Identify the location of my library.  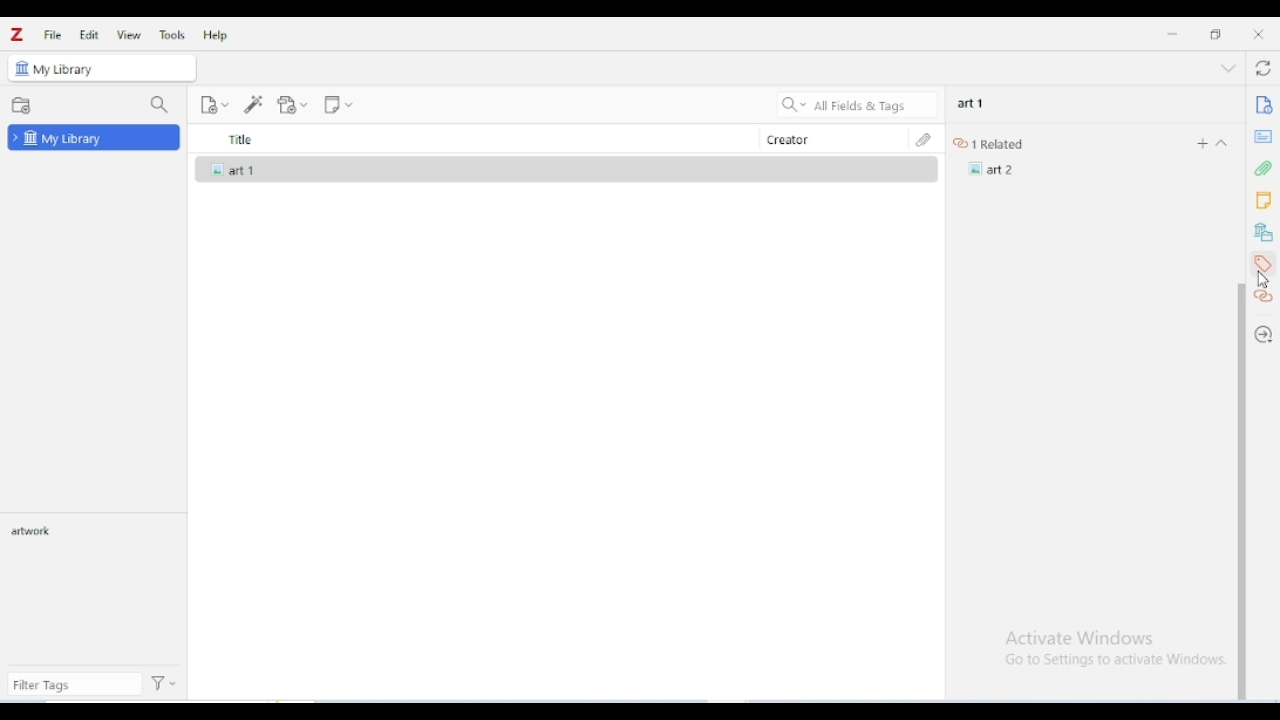
(94, 137).